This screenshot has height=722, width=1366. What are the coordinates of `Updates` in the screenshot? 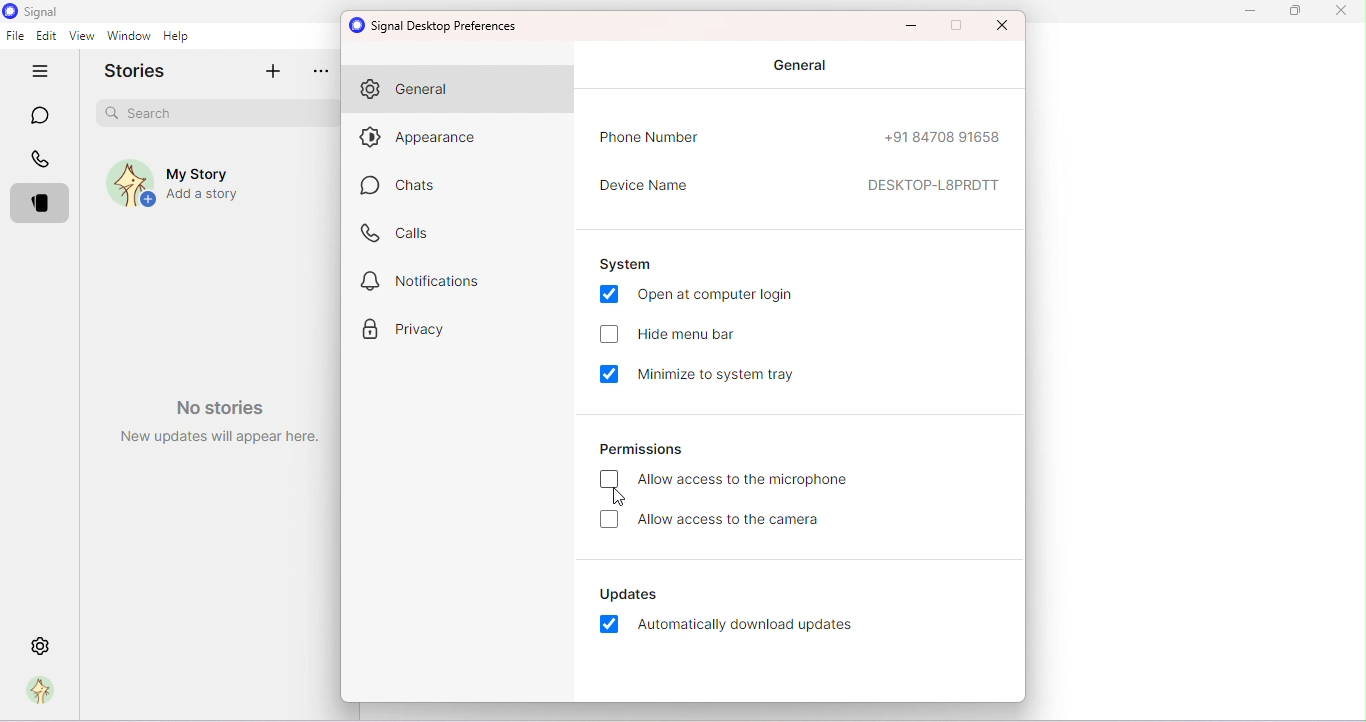 It's located at (637, 591).